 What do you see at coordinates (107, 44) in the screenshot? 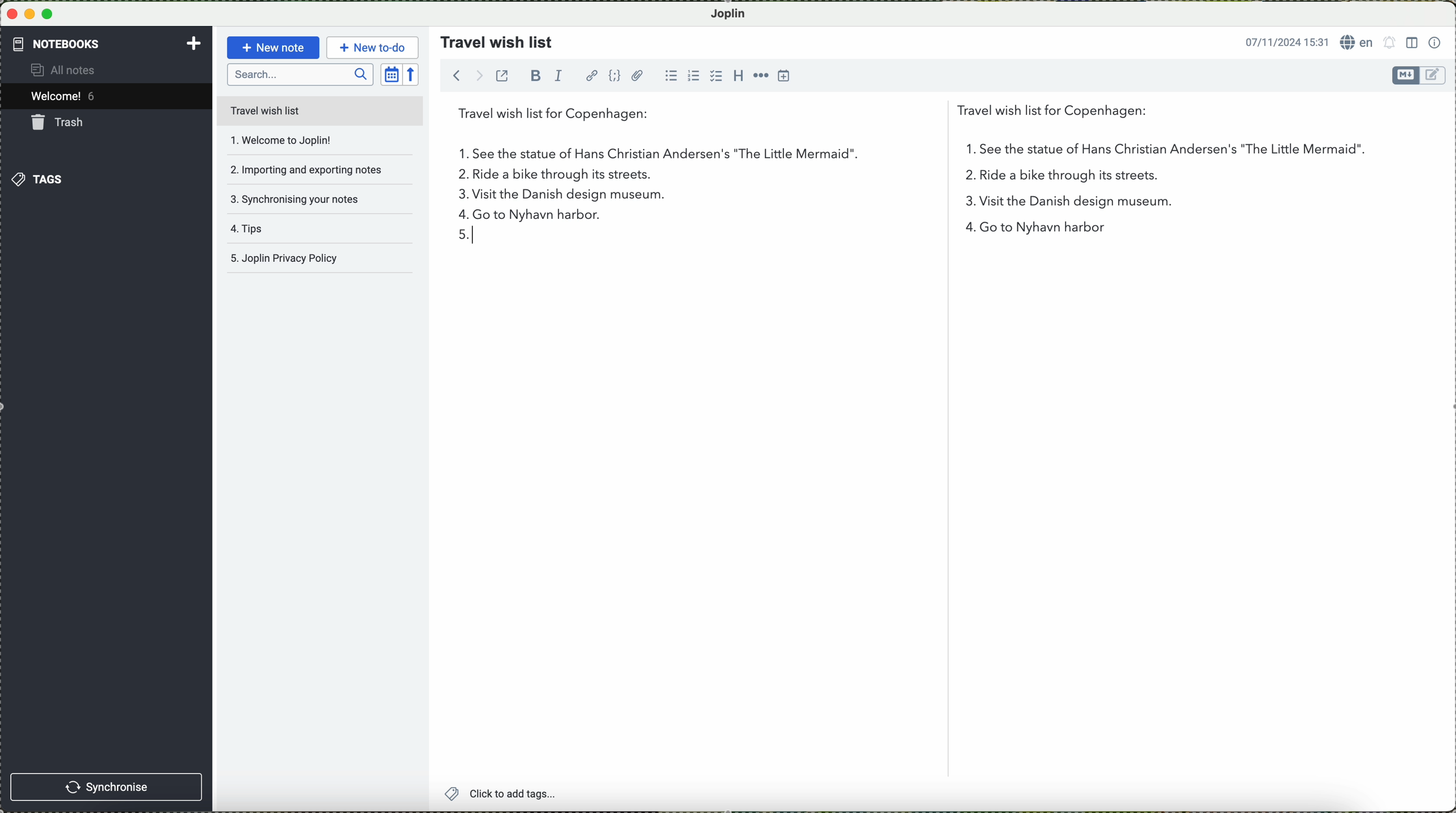
I see `notebooks tab` at bounding box center [107, 44].